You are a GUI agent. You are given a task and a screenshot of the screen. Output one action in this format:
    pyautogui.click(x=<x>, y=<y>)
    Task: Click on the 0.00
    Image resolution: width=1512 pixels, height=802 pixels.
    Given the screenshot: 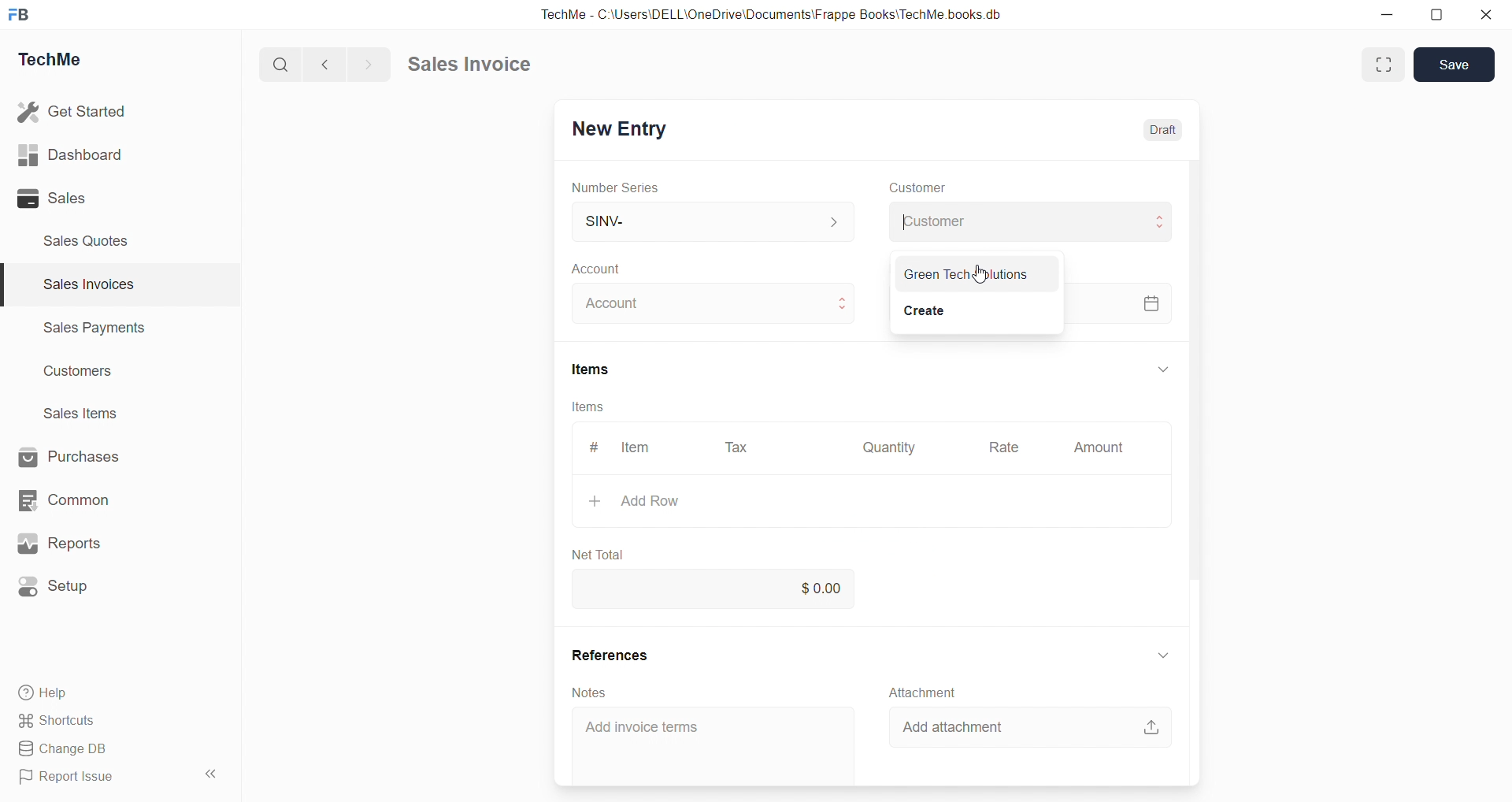 What is the action you would take?
    pyautogui.click(x=721, y=589)
    